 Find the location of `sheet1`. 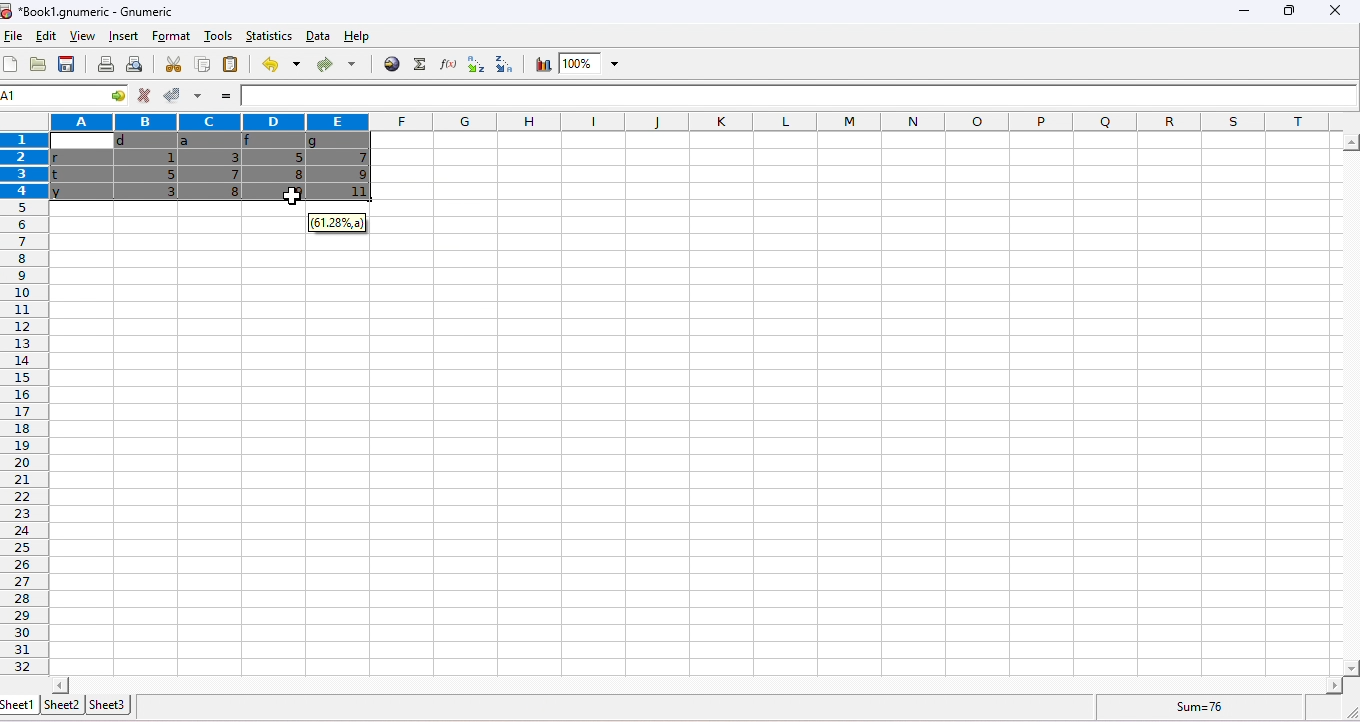

sheet1 is located at coordinates (19, 705).